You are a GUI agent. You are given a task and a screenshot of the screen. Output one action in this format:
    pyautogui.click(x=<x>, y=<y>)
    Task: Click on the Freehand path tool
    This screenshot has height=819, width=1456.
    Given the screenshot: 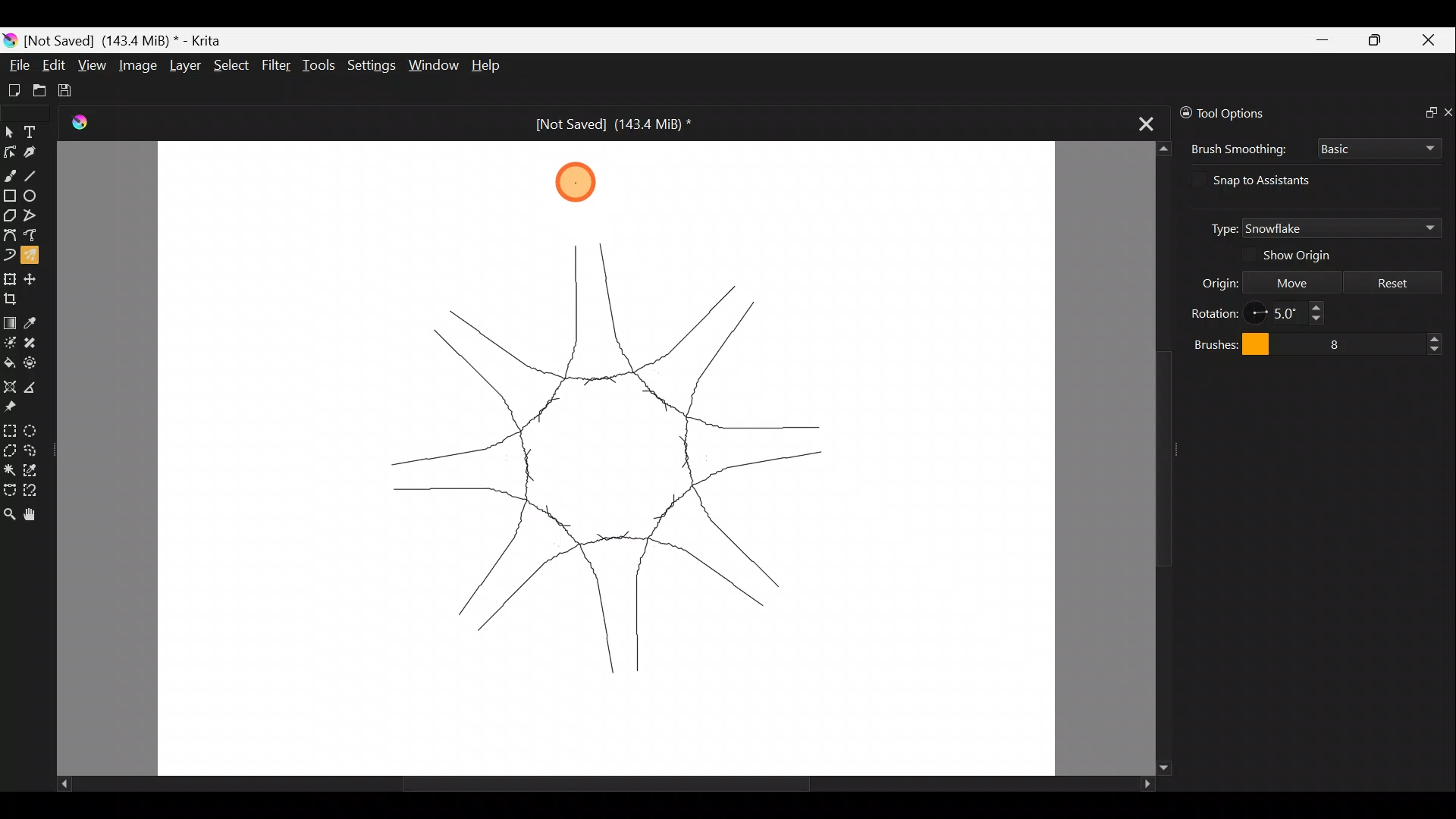 What is the action you would take?
    pyautogui.click(x=33, y=238)
    